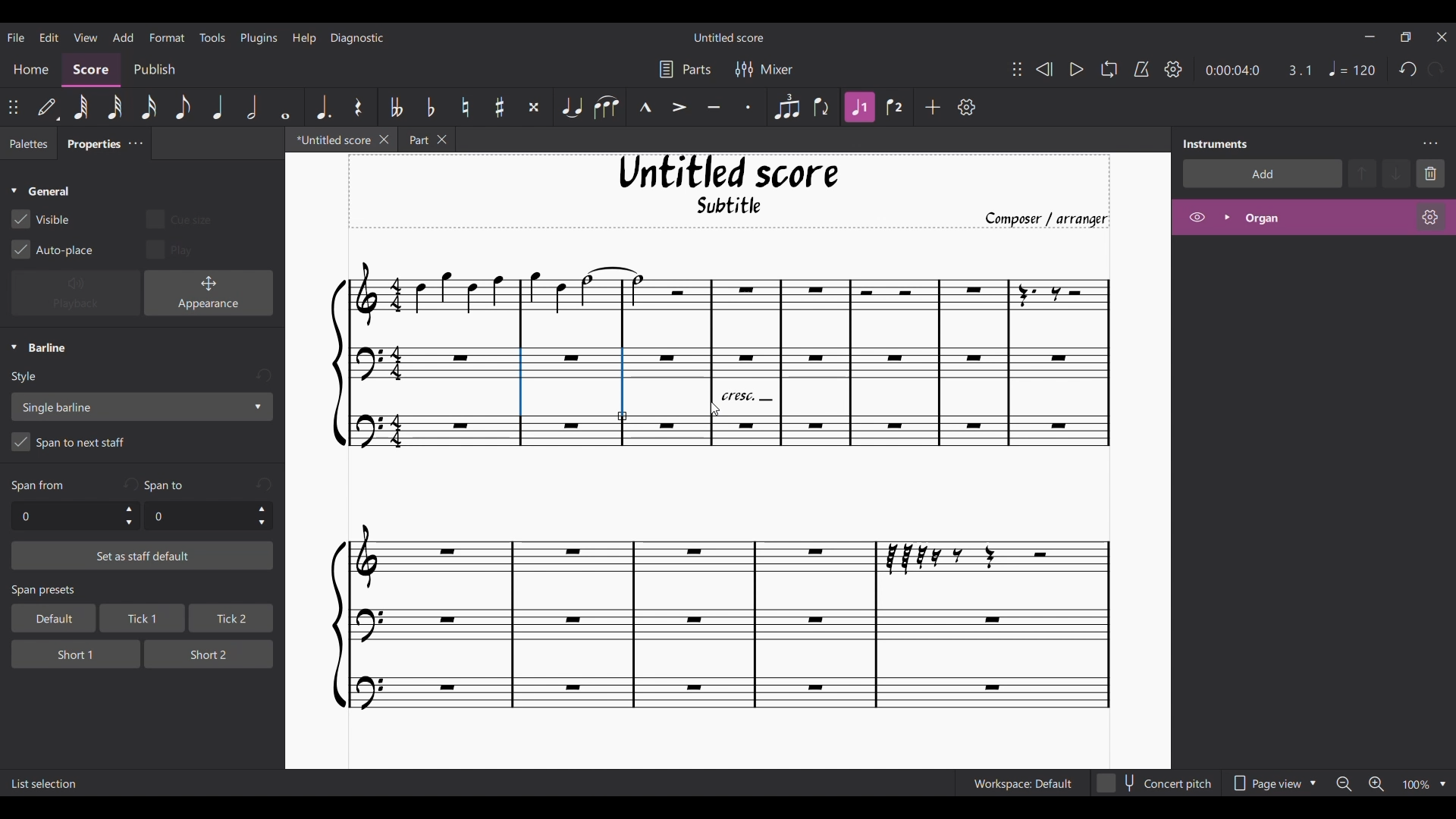 The width and height of the screenshot is (1456, 819). I want to click on Mixer settings, so click(764, 69).